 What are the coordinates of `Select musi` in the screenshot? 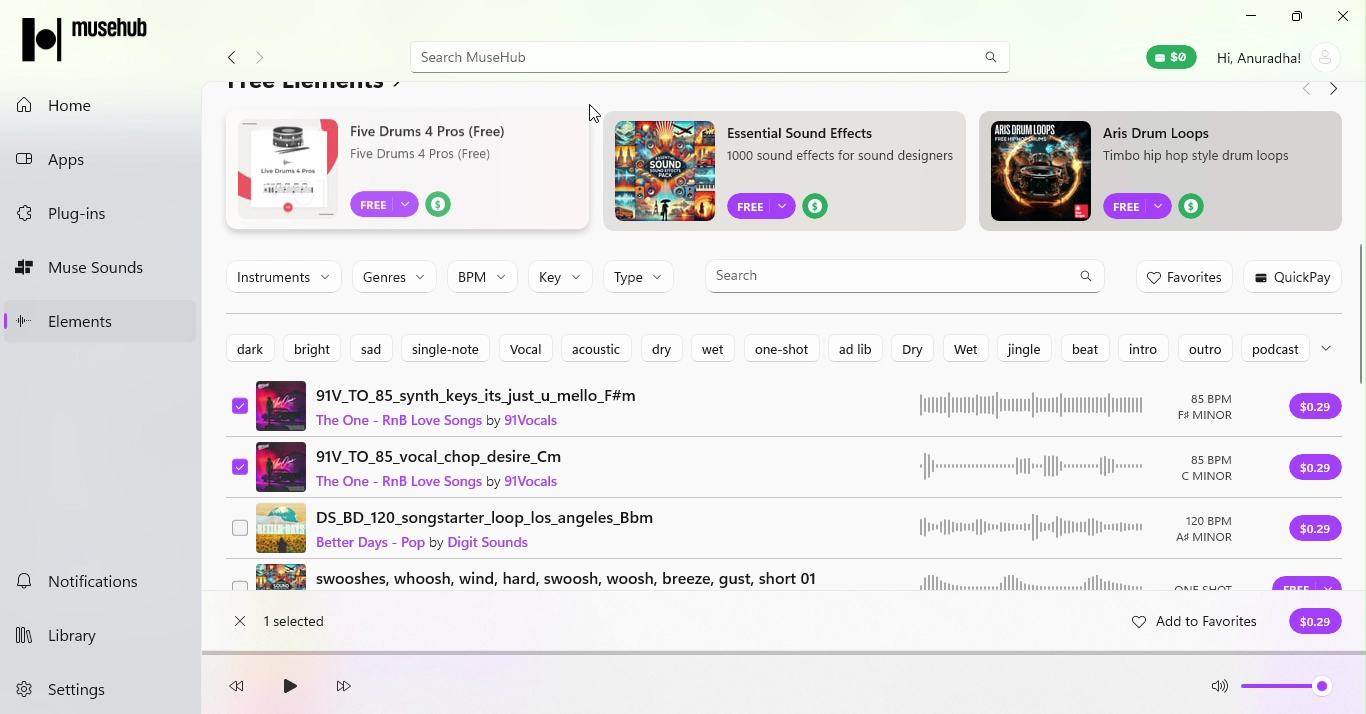 It's located at (240, 528).